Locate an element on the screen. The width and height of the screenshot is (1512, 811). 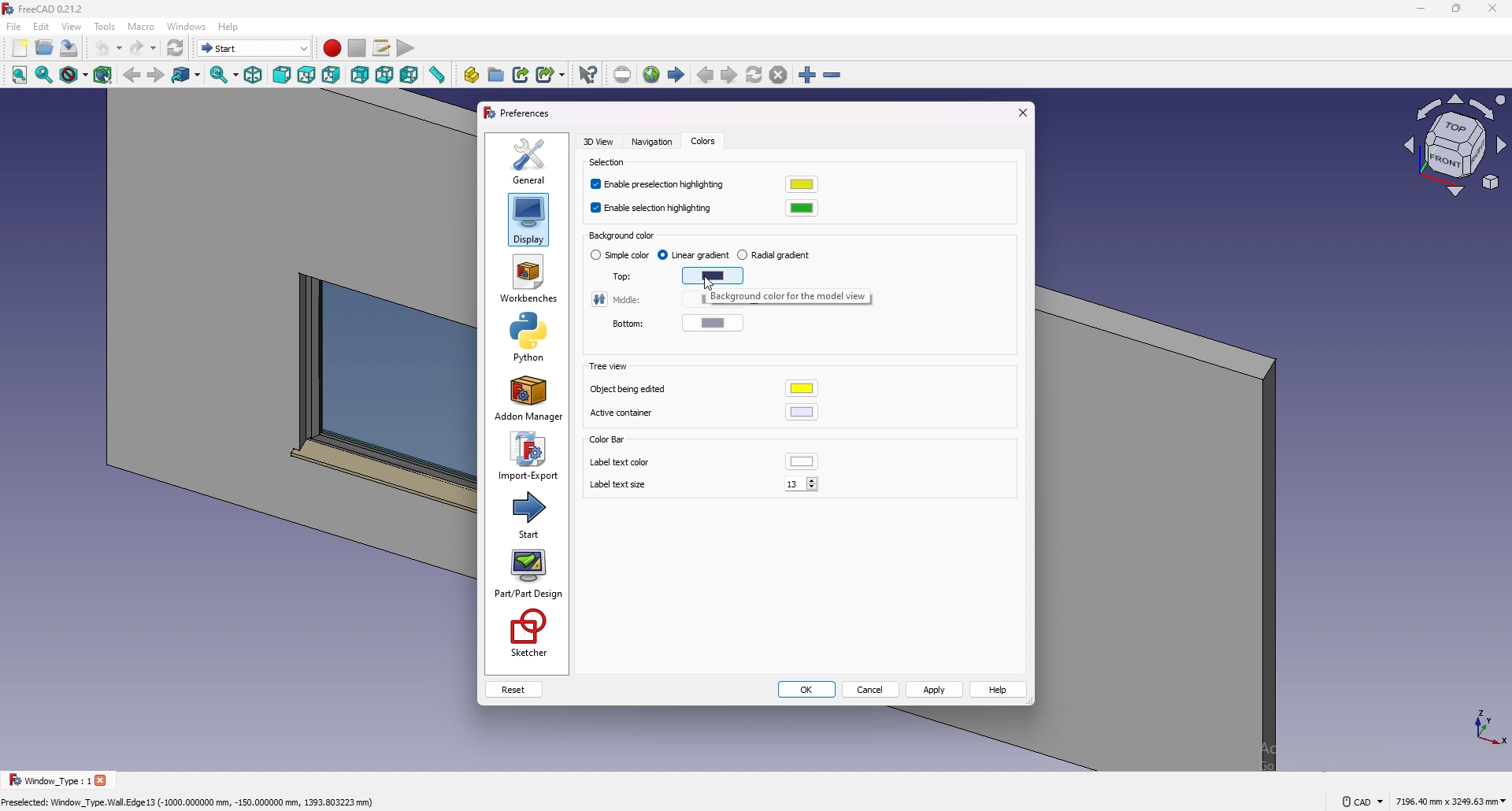
zoom in is located at coordinates (807, 76).